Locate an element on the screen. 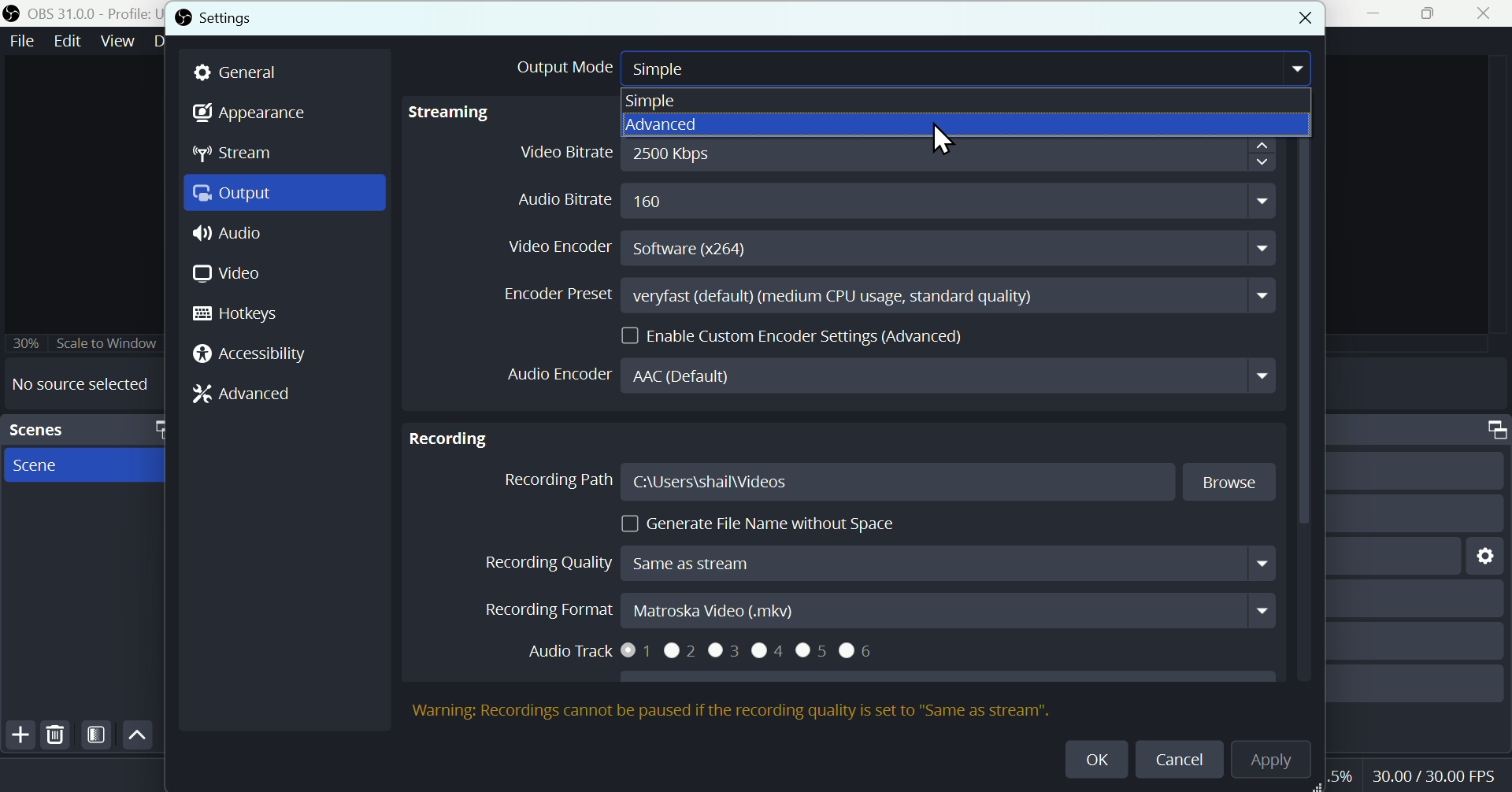 The image size is (1512, 792). View is located at coordinates (120, 39).